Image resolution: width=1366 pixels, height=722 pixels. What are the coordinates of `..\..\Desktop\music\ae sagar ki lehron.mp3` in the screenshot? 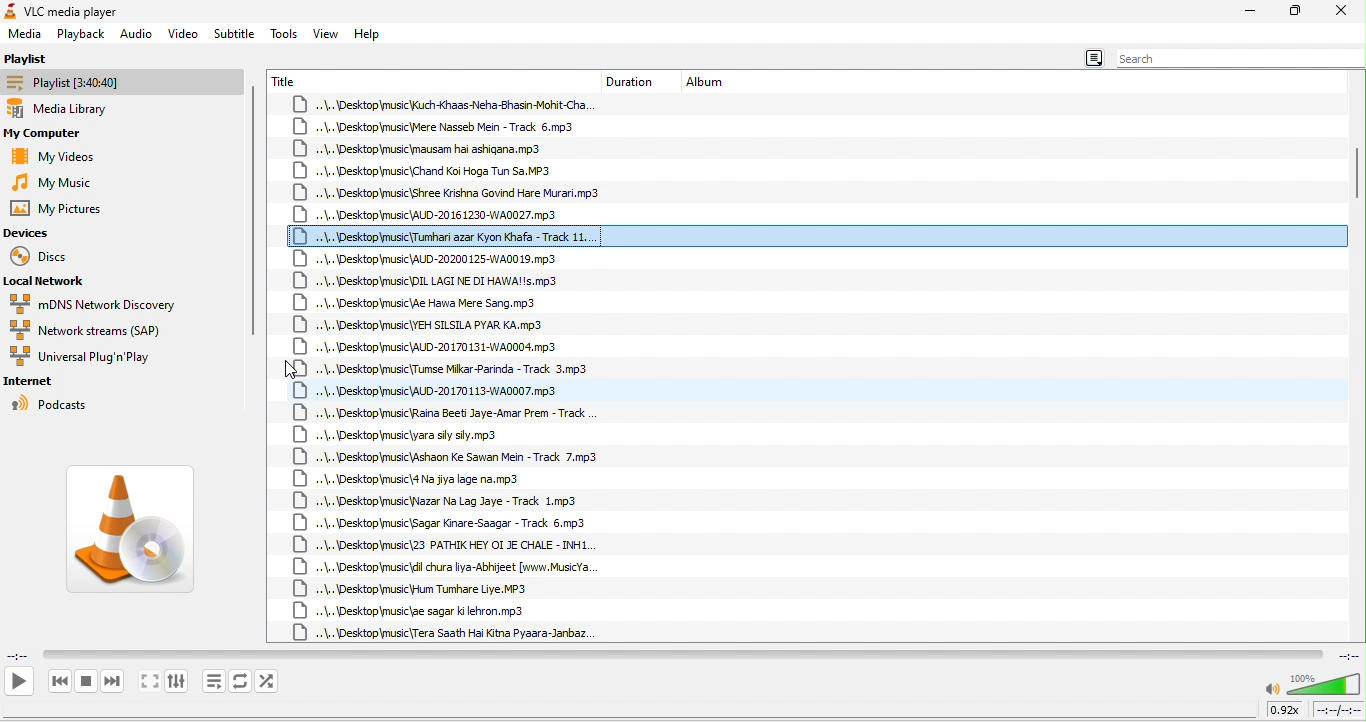 It's located at (418, 611).